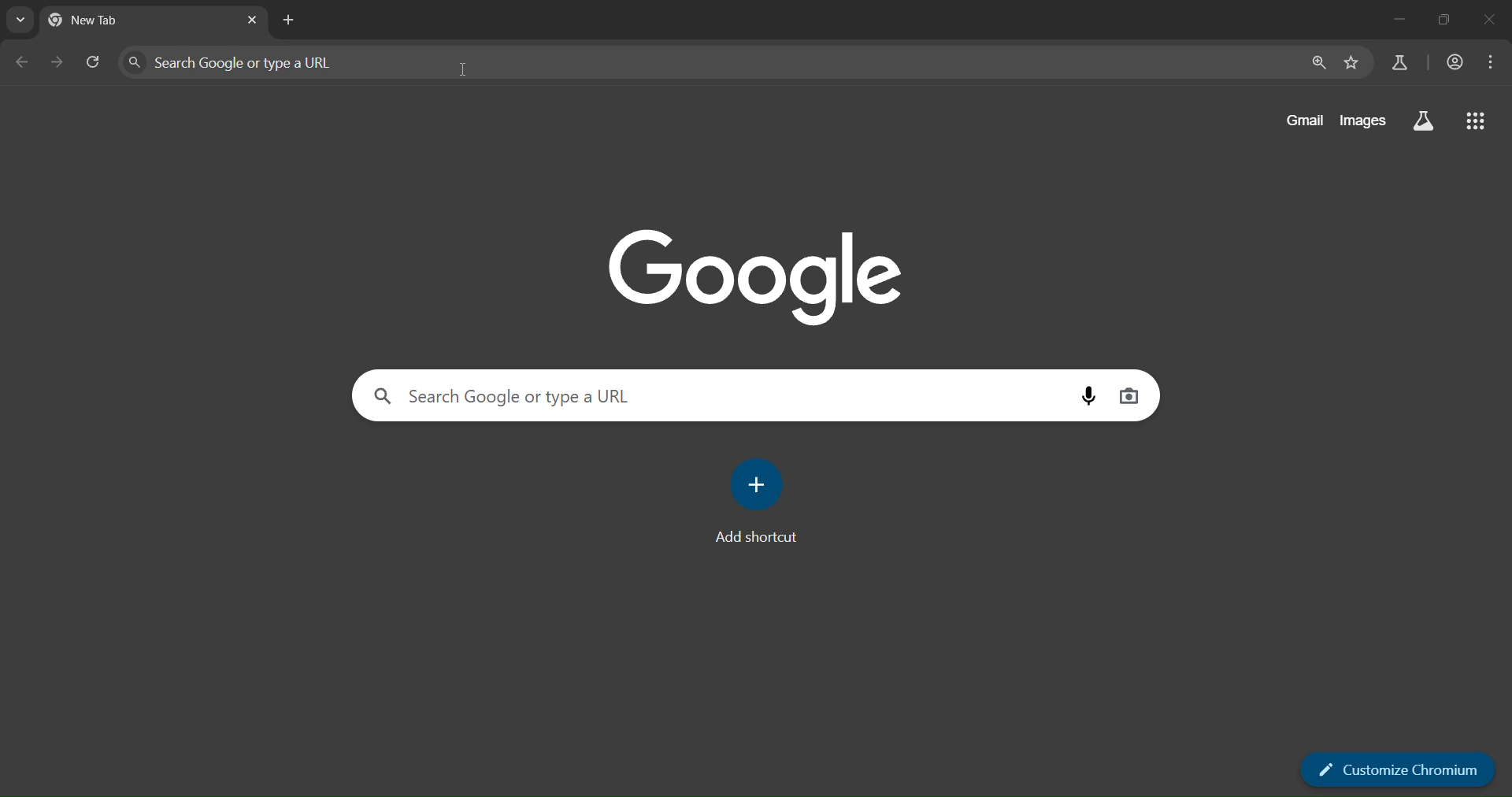 Image resolution: width=1512 pixels, height=797 pixels. Describe the element at coordinates (1492, 60) in the screenshot. I see `menu` at that location.